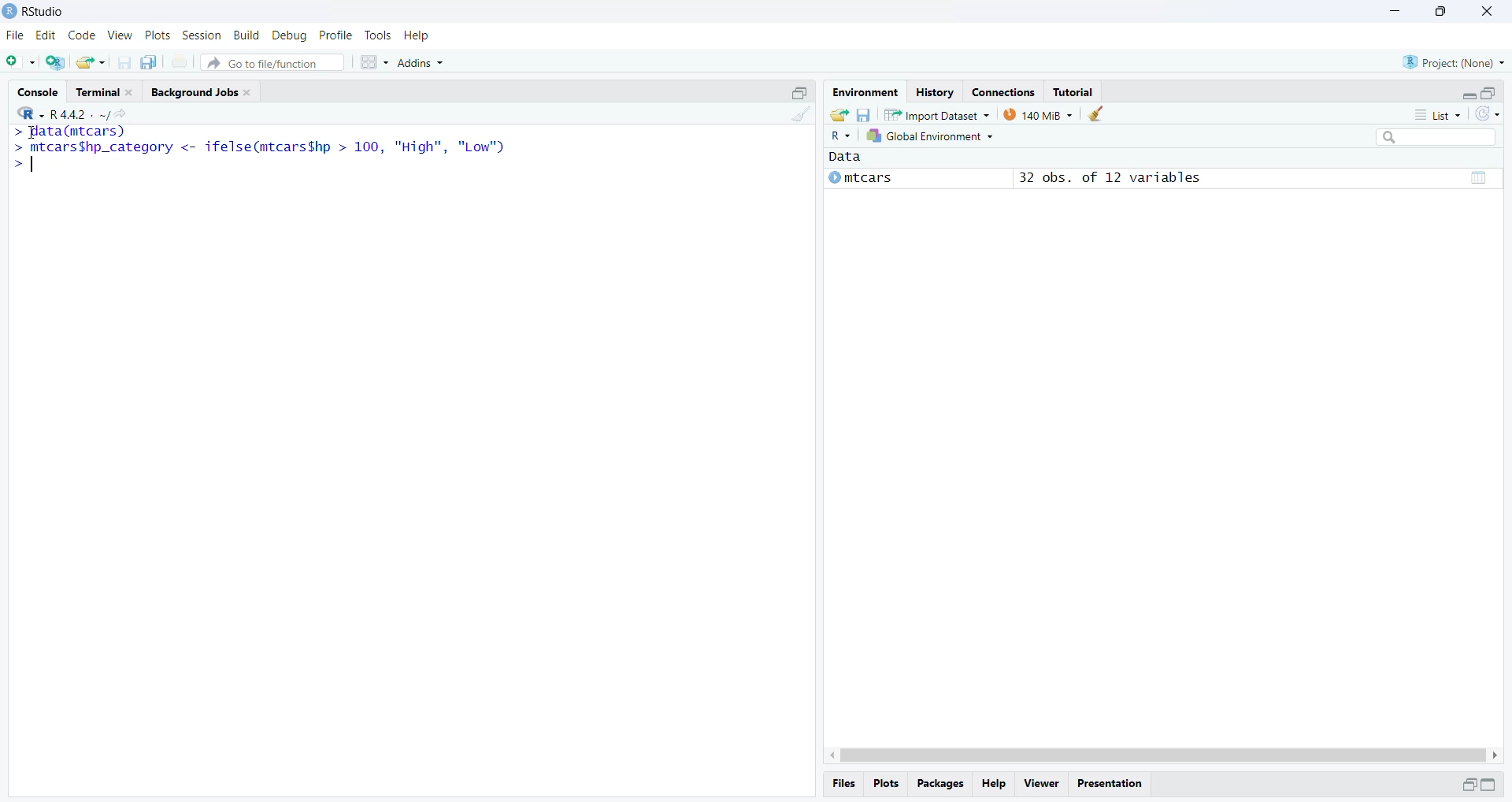  I want to click on Console, so click(40, 91).